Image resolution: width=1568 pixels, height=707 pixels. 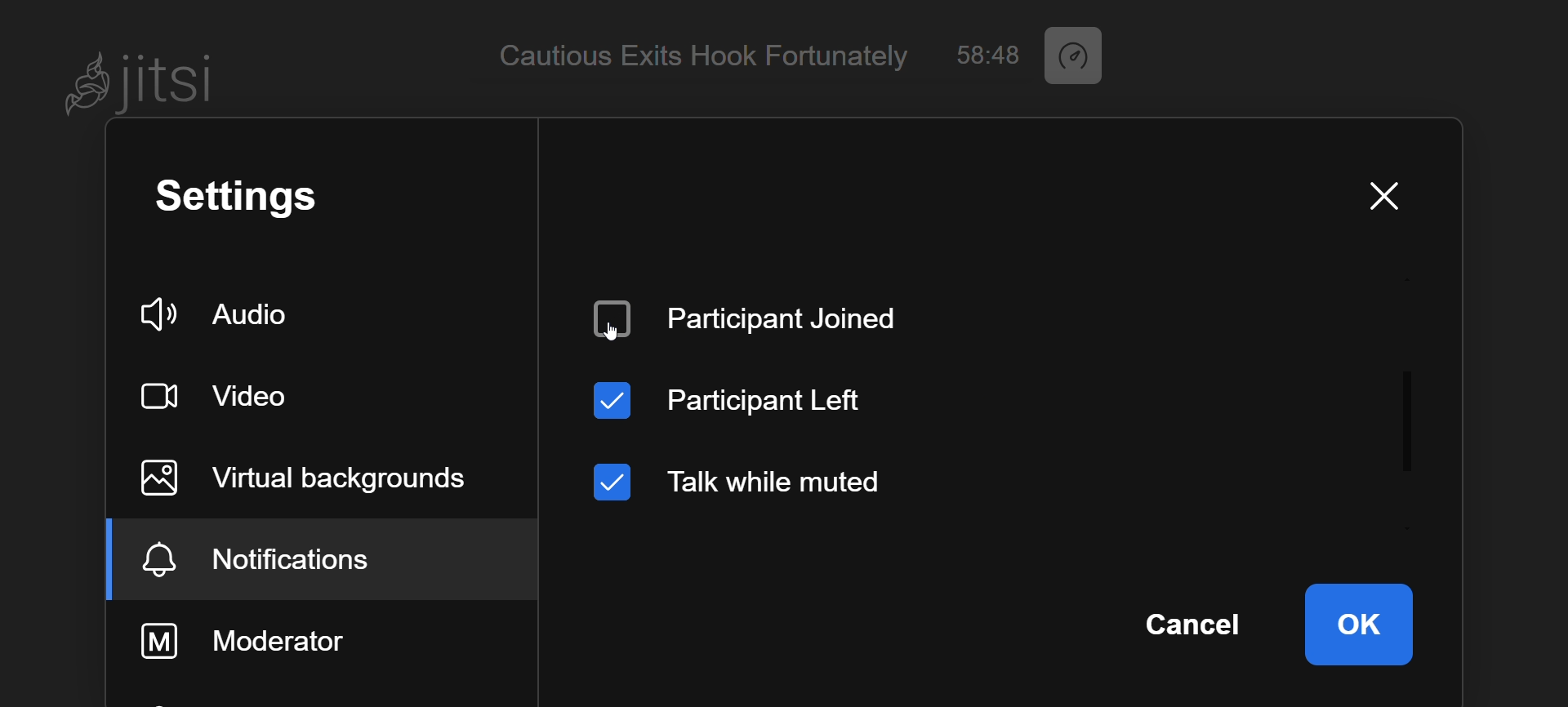 What do you see at coordinates (1408, 379) in the screenshot?
I see `scroll bar` at bounding box center [1408, 379].